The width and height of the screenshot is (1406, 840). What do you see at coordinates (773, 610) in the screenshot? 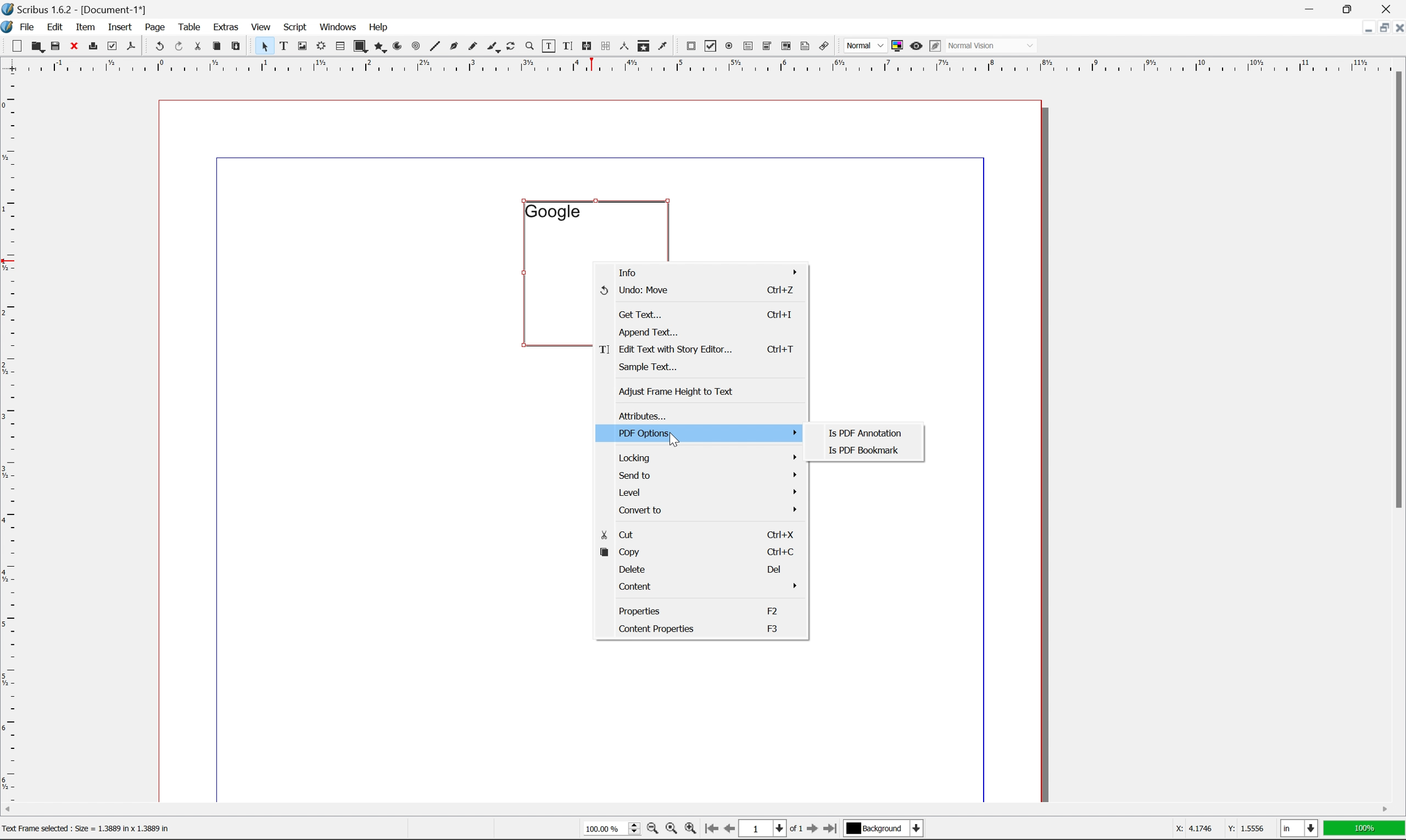
I see `F2` at bounding box center [773, 610].